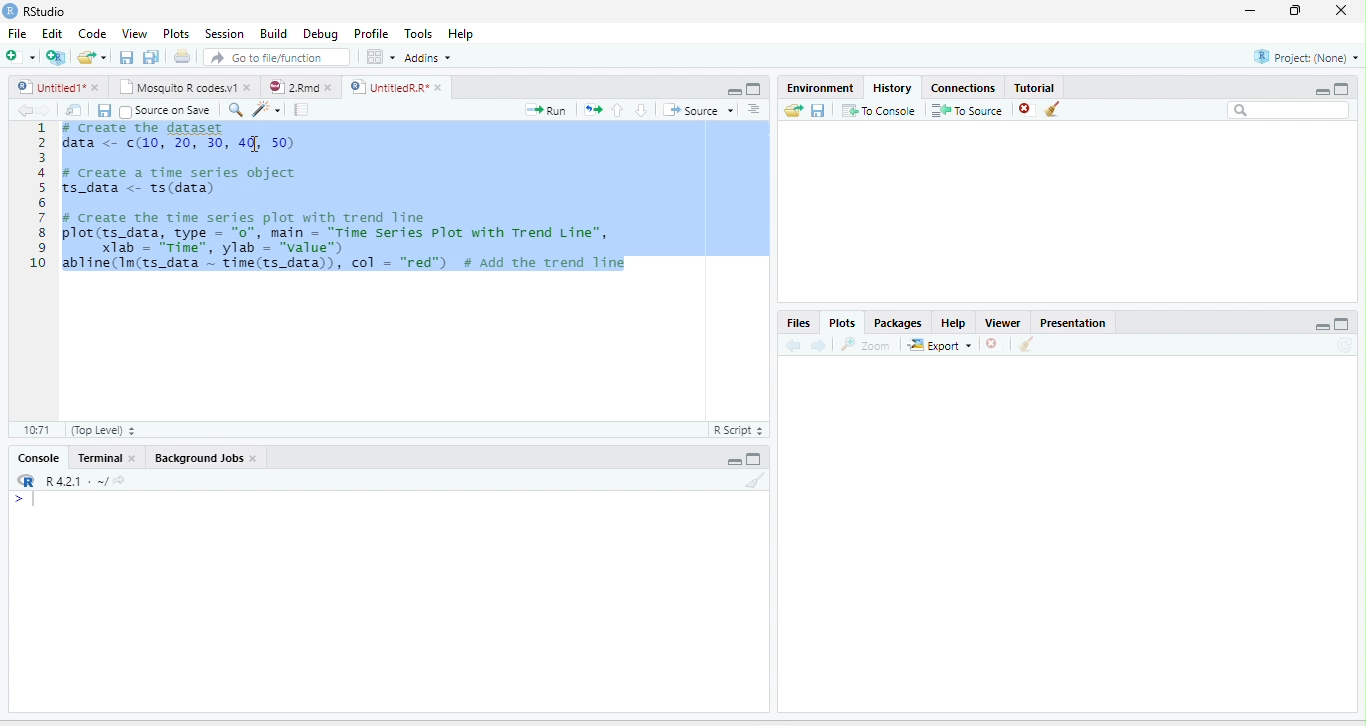  Describe the element at coordinates (51, 33) in the screenshot. I see `Edit` at that location.